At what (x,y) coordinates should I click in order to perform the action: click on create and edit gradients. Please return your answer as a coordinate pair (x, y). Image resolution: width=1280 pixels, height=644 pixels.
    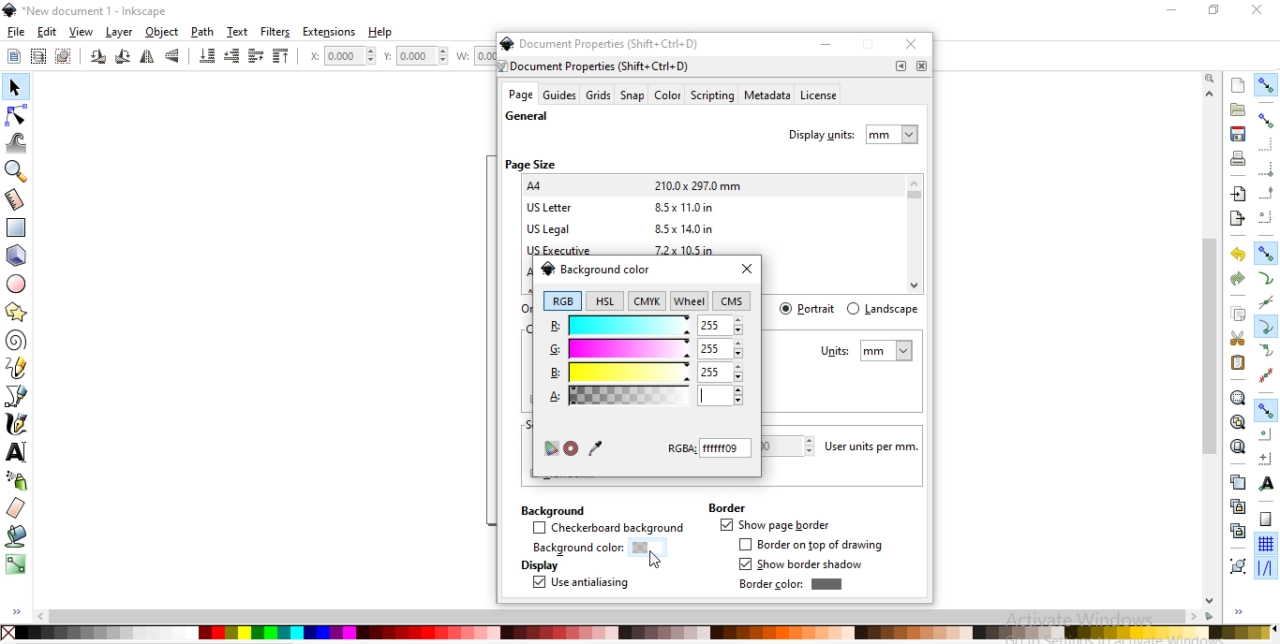
    Looking at the image, I should click on (16, 564).